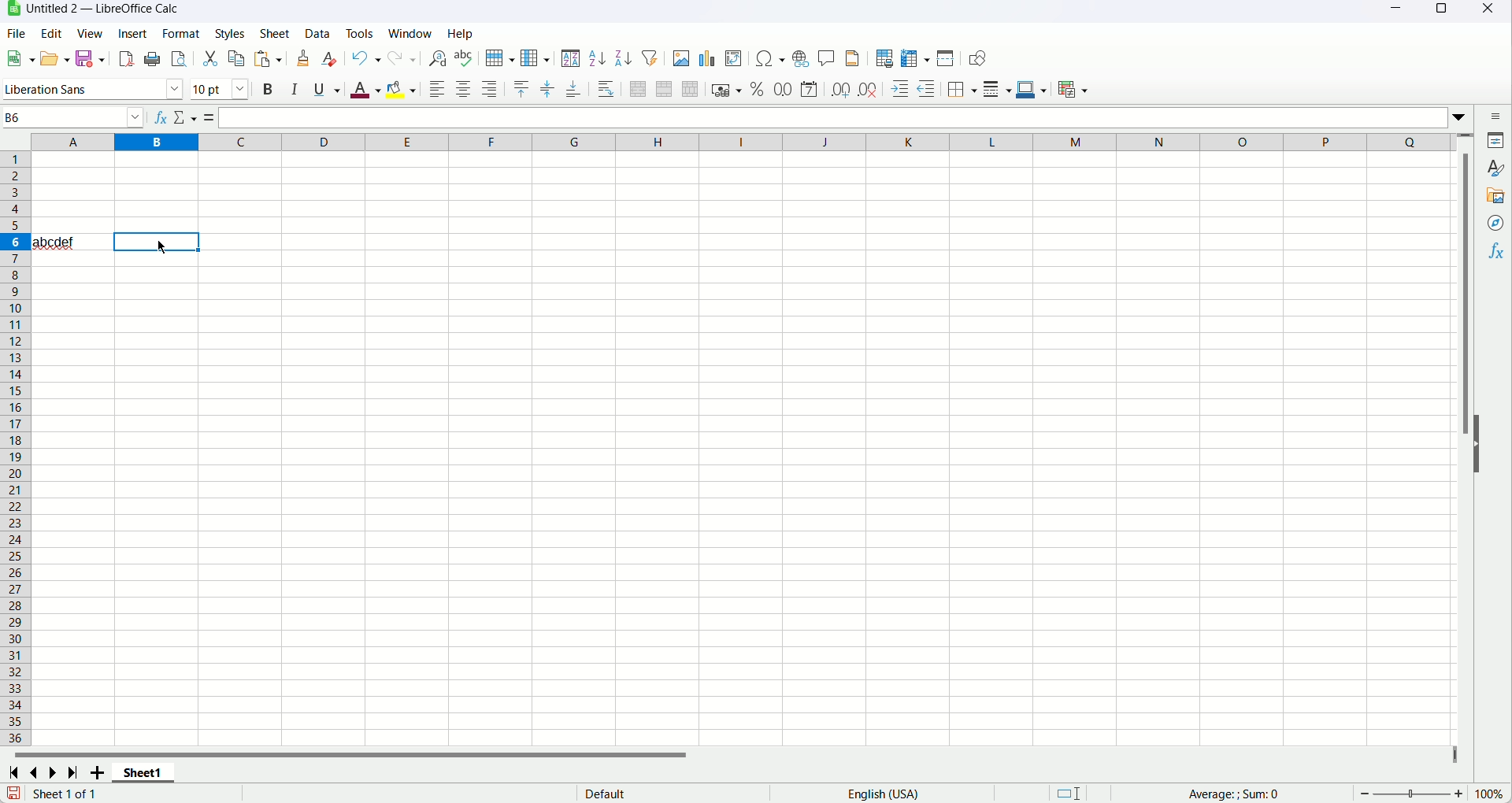 This screenshot has width=1512, height=803. I want to click on border, so click(962, 90).